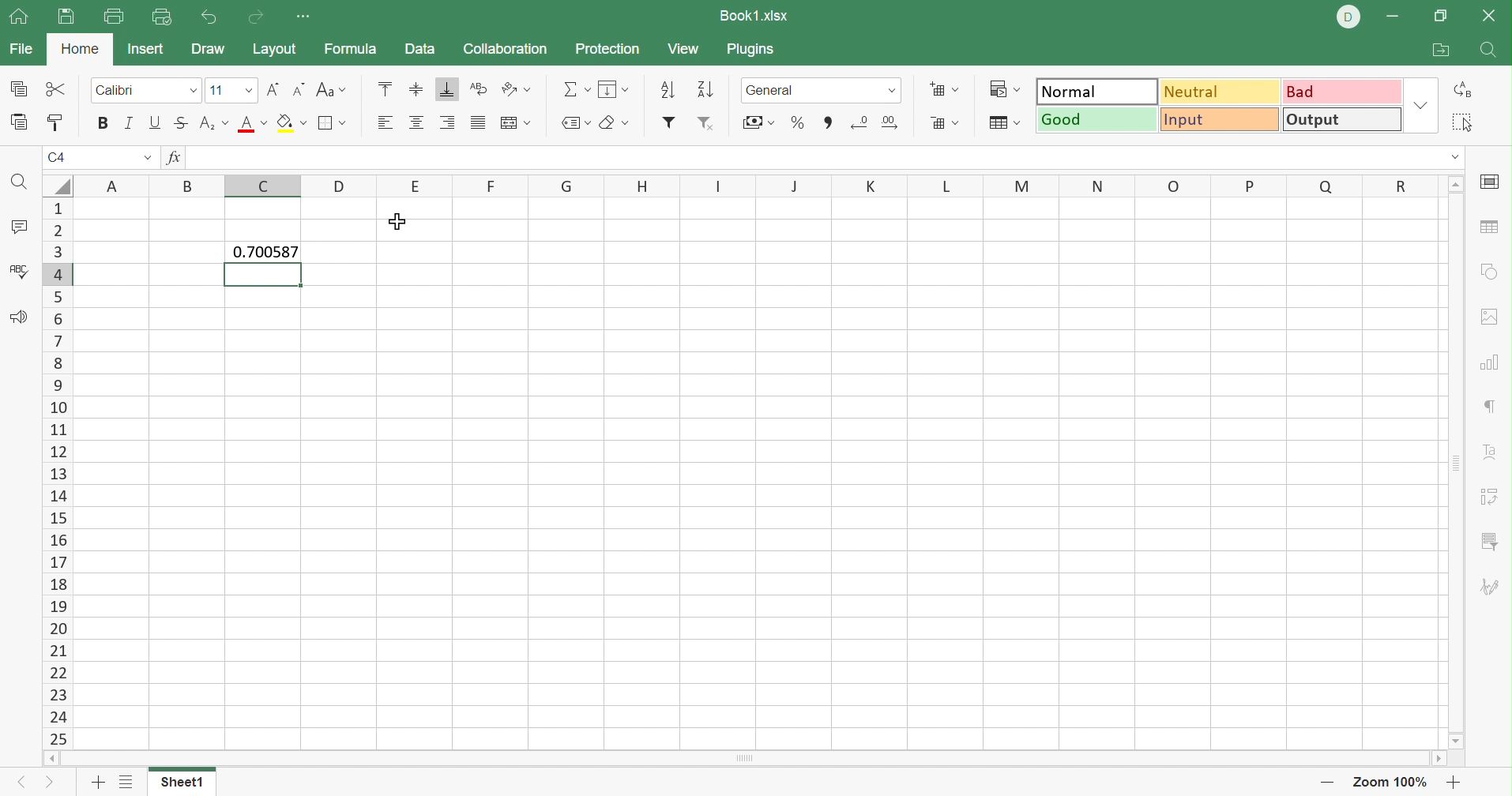 This screenshot has width=1512, height=796. What do you see at coordinates (270, 89) in the screenshot?
I see `Increment font size` at bounding box center [270, 89].